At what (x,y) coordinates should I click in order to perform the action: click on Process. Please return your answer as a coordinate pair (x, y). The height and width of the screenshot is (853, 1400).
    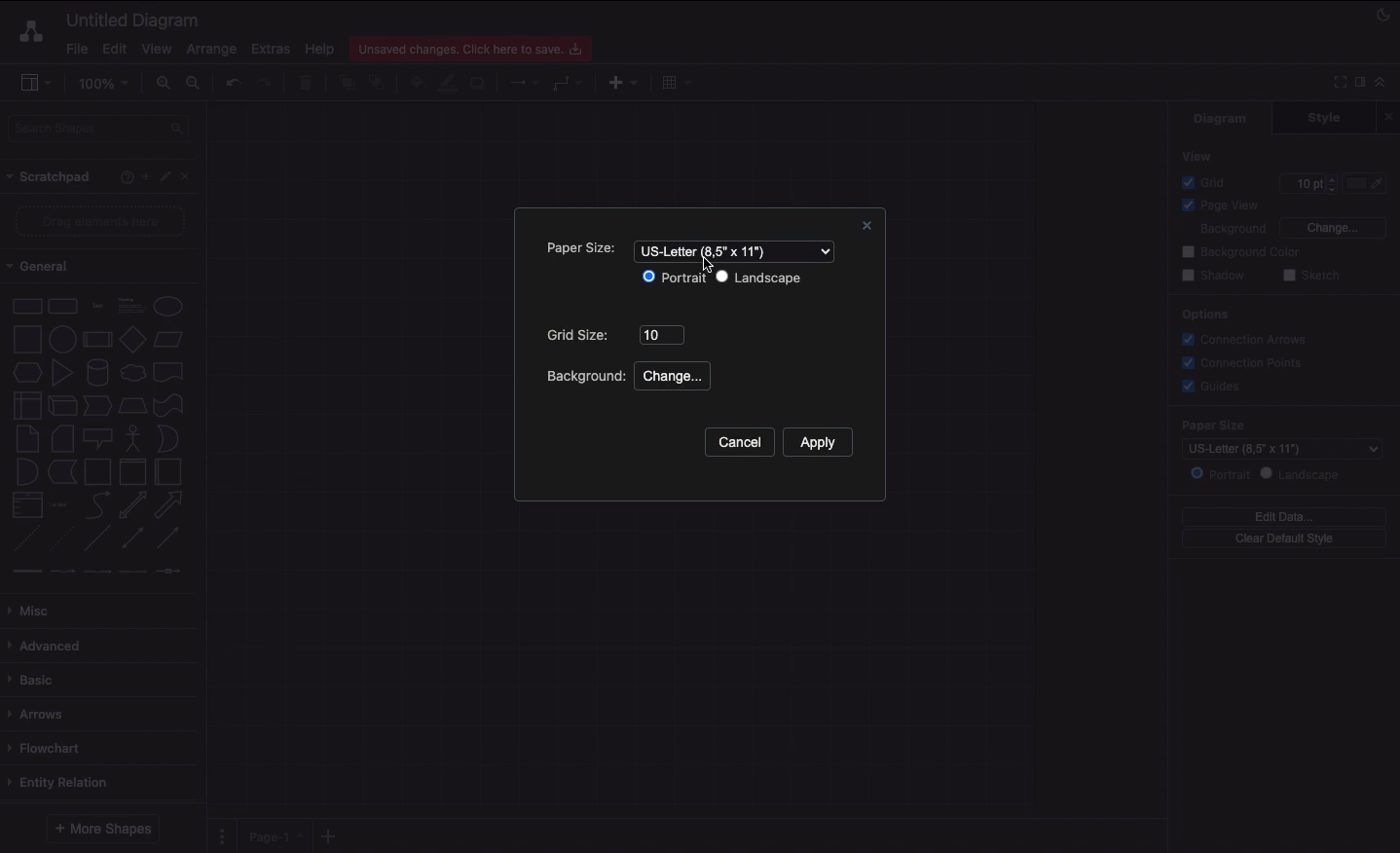
    Looking at the image, I should click on (95, 341).